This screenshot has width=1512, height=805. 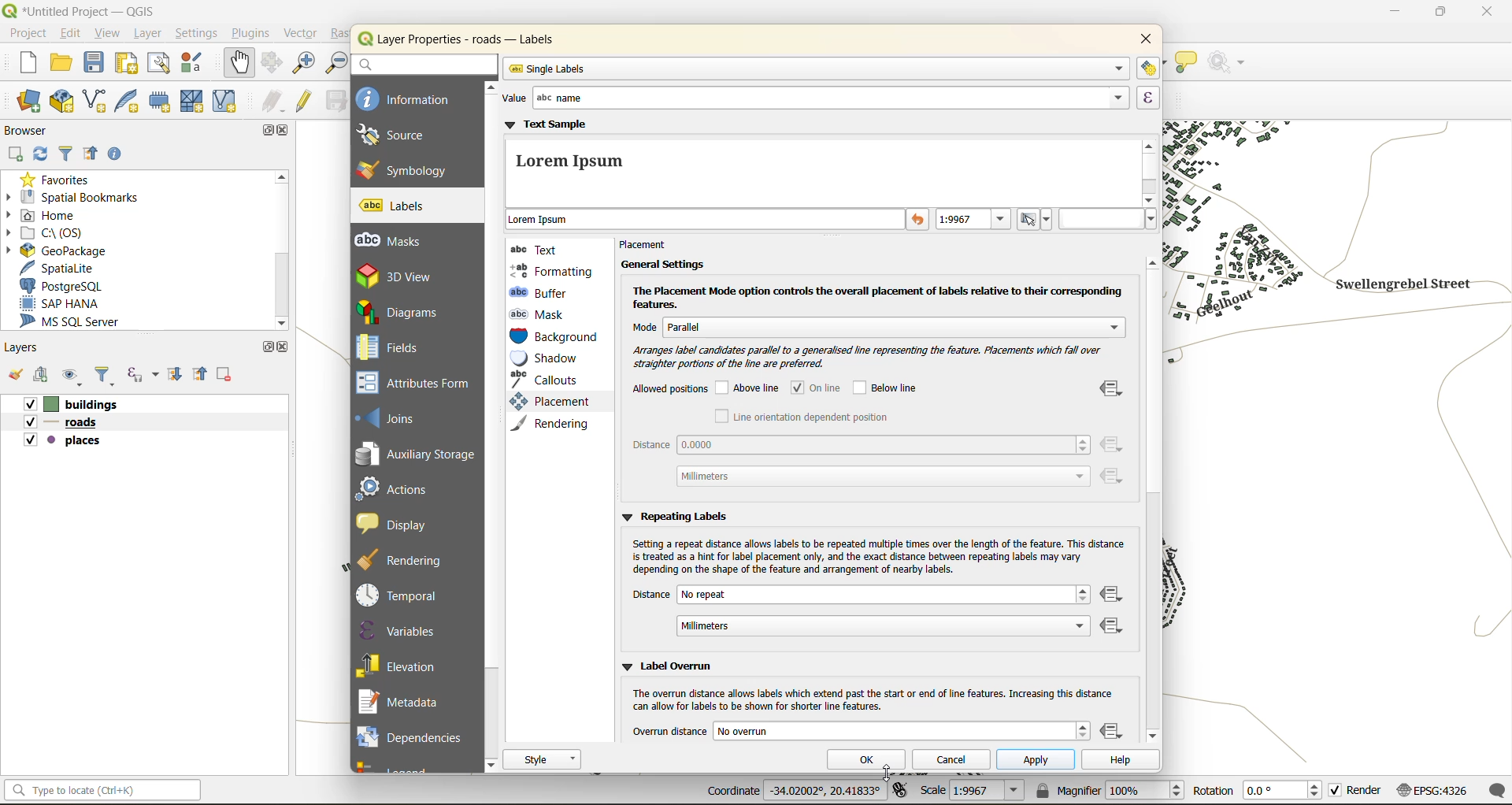 What do you see at coordinates (673, 515) in the screenshot?
I see `repeating labels` at bounding box center [673, 515].